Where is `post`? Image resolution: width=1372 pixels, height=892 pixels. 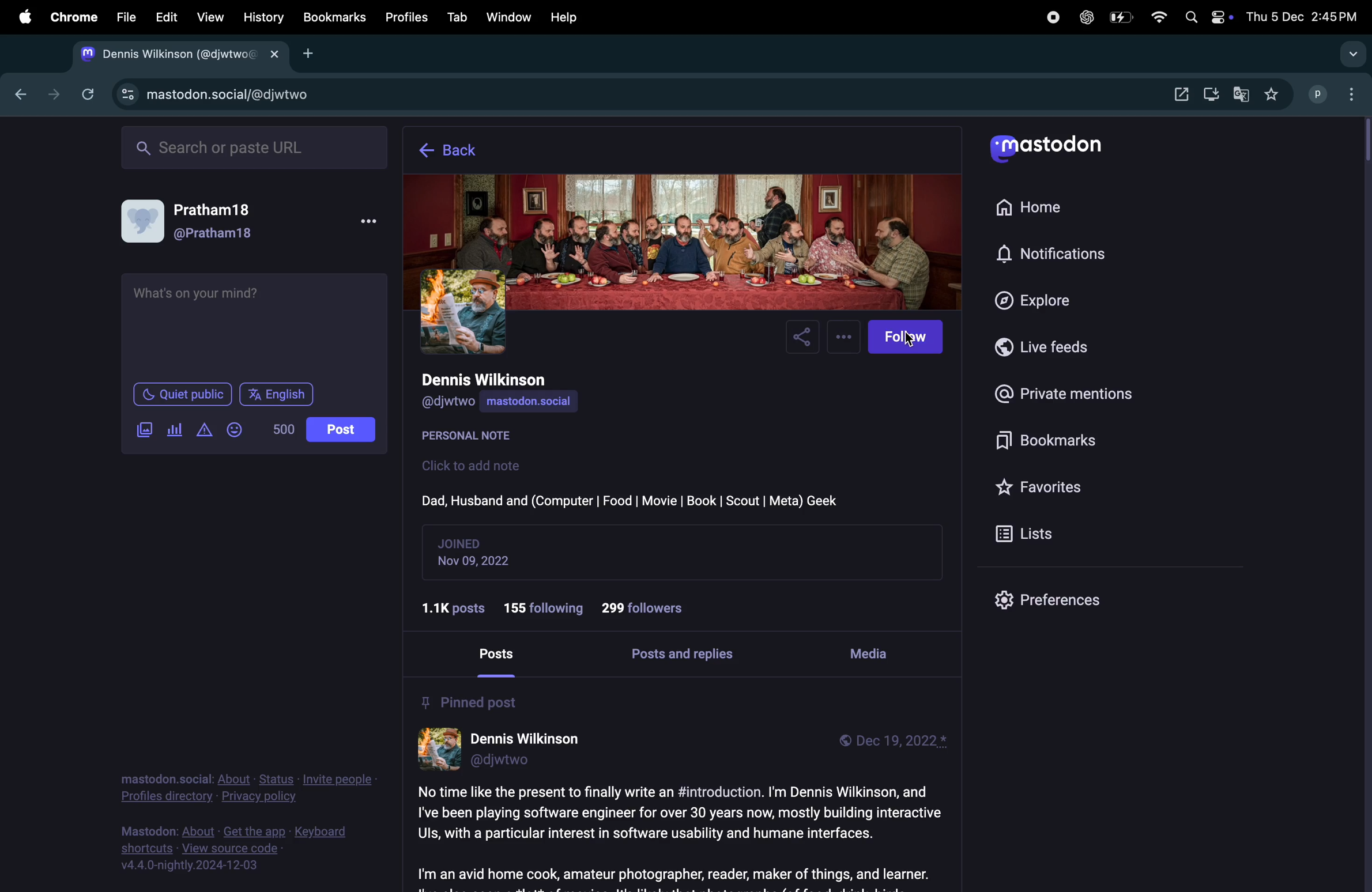
post is located at coordinates (678, 834).